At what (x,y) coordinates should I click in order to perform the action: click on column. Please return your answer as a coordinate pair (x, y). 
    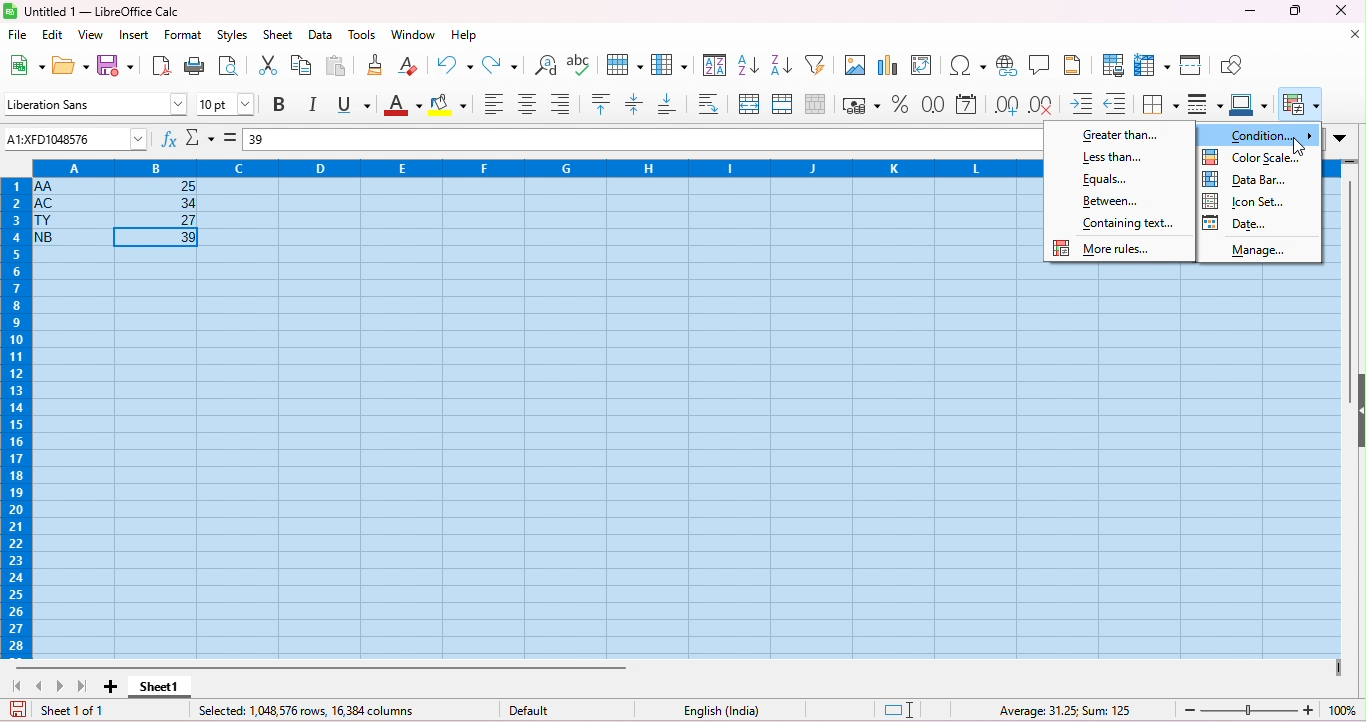
    Looking at the image, I should click on (669, 64).